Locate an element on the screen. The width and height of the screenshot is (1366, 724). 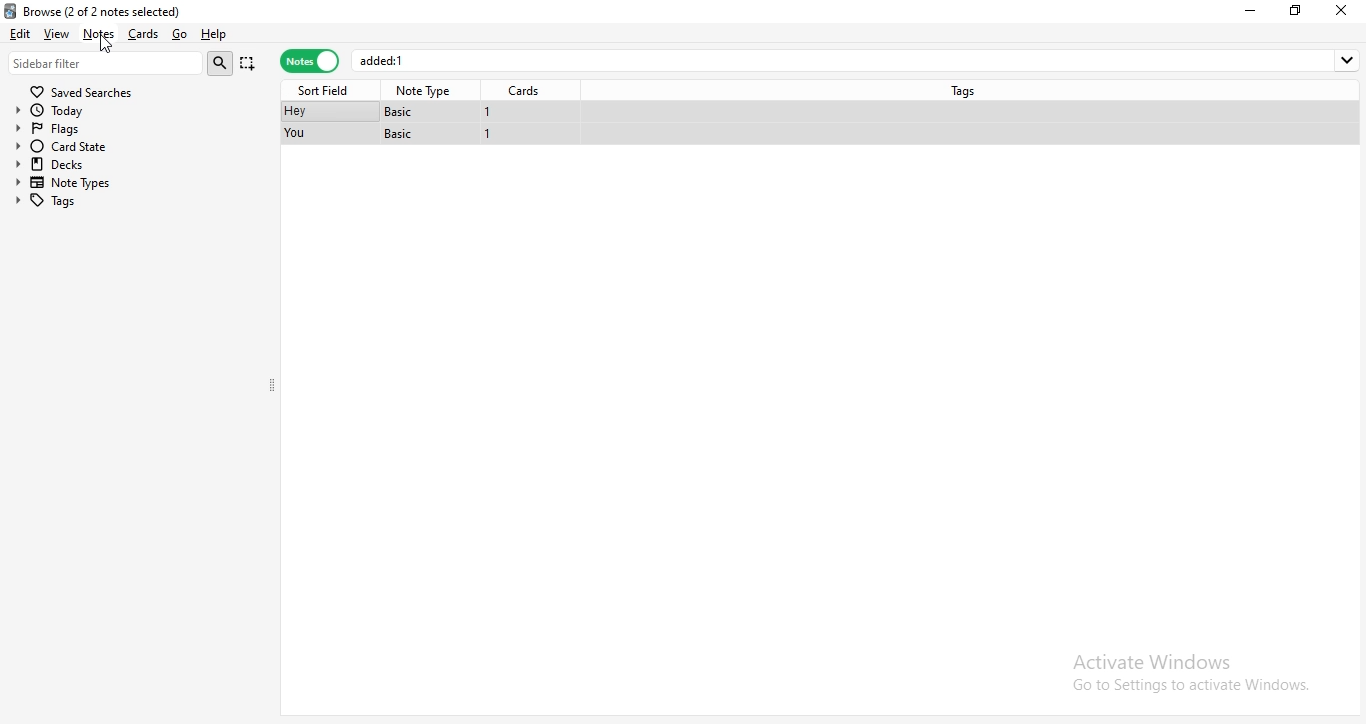
search is located at coordinates (223, 63).